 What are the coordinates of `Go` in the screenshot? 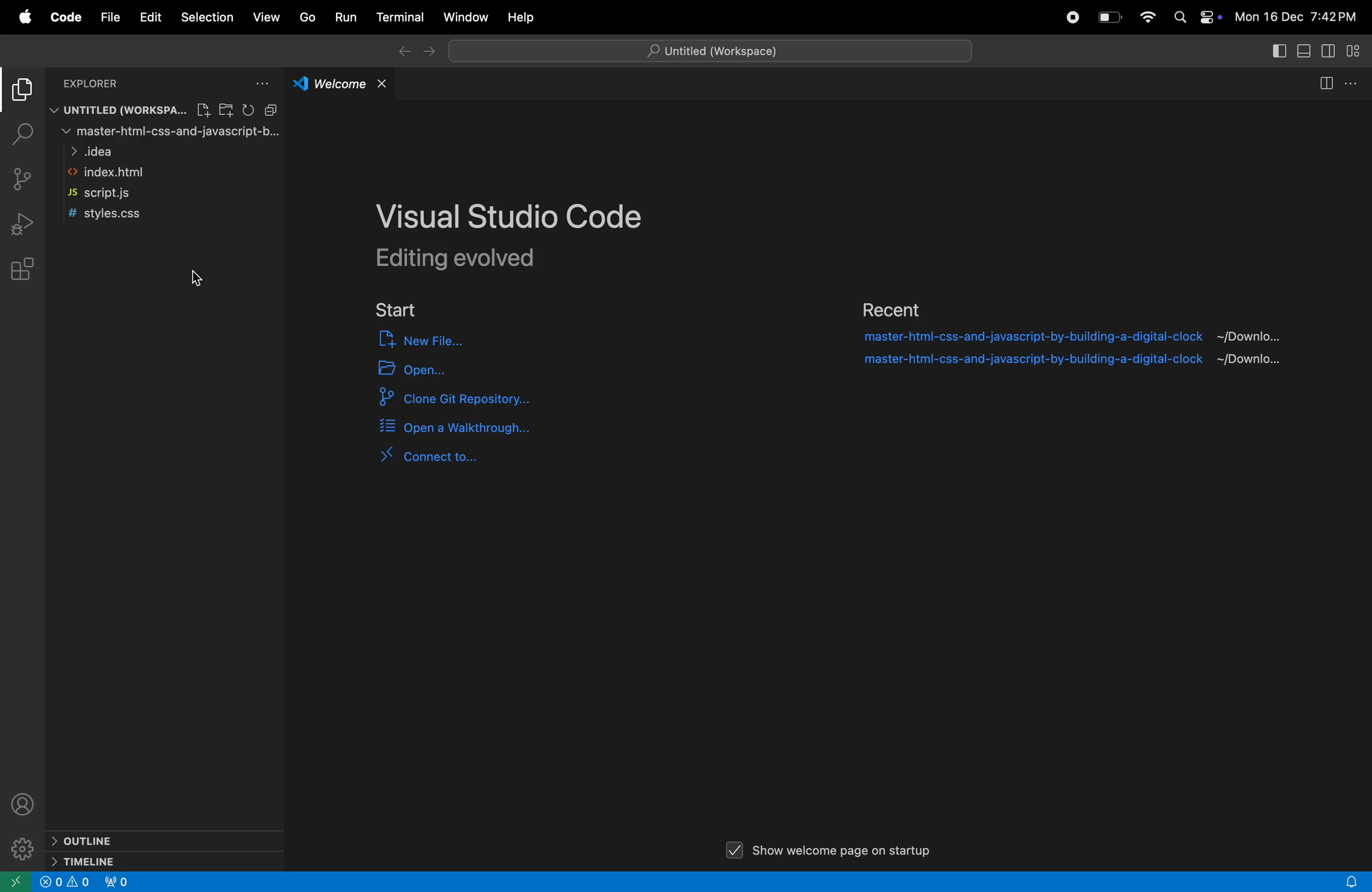 It's located at (309, 19).